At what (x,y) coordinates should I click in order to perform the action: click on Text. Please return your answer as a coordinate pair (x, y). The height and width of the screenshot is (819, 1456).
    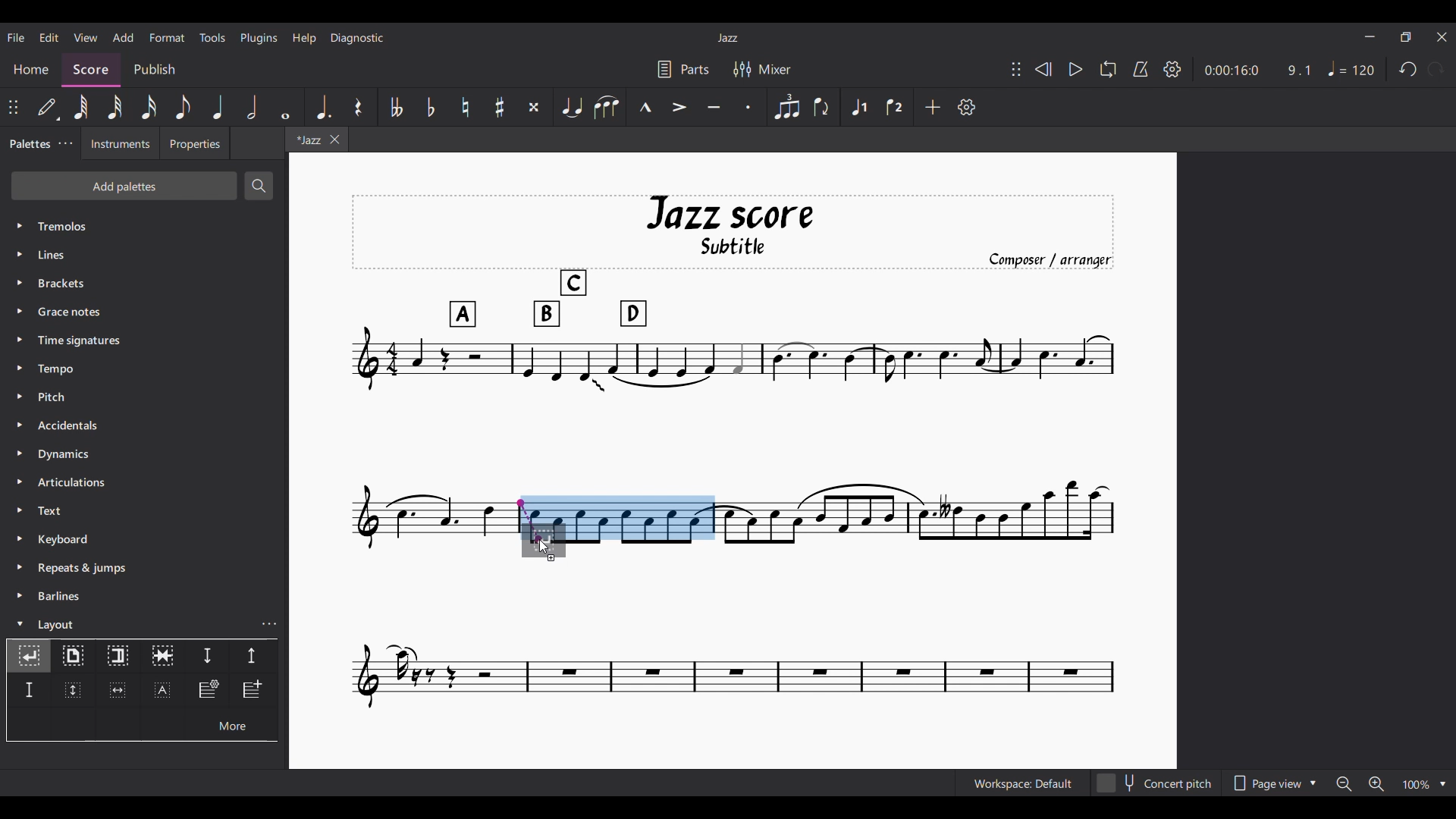
    Looking at the image, I should click on (144, 510).